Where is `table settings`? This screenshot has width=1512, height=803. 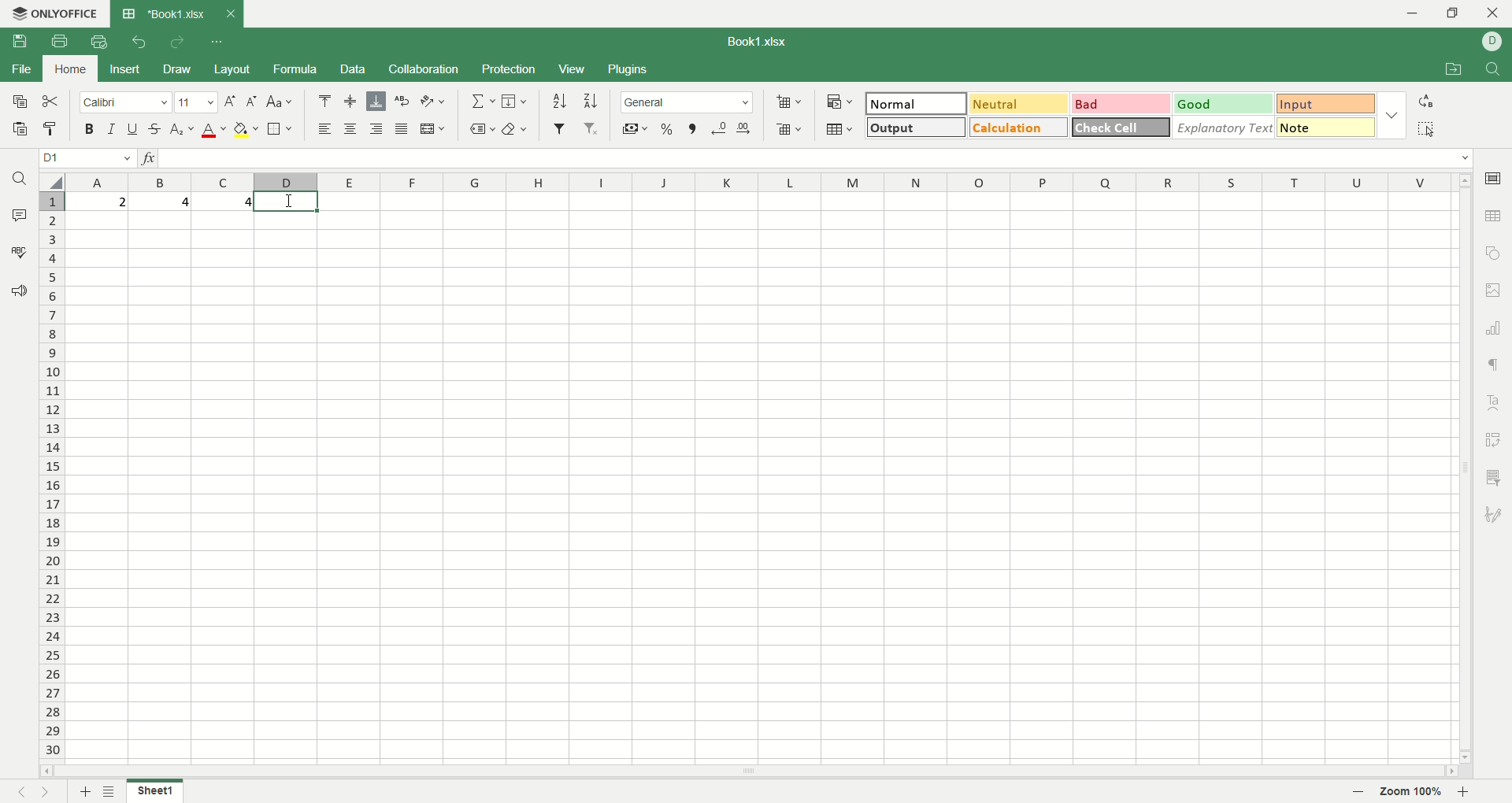
table settings is located at coordinates (1492, 217).